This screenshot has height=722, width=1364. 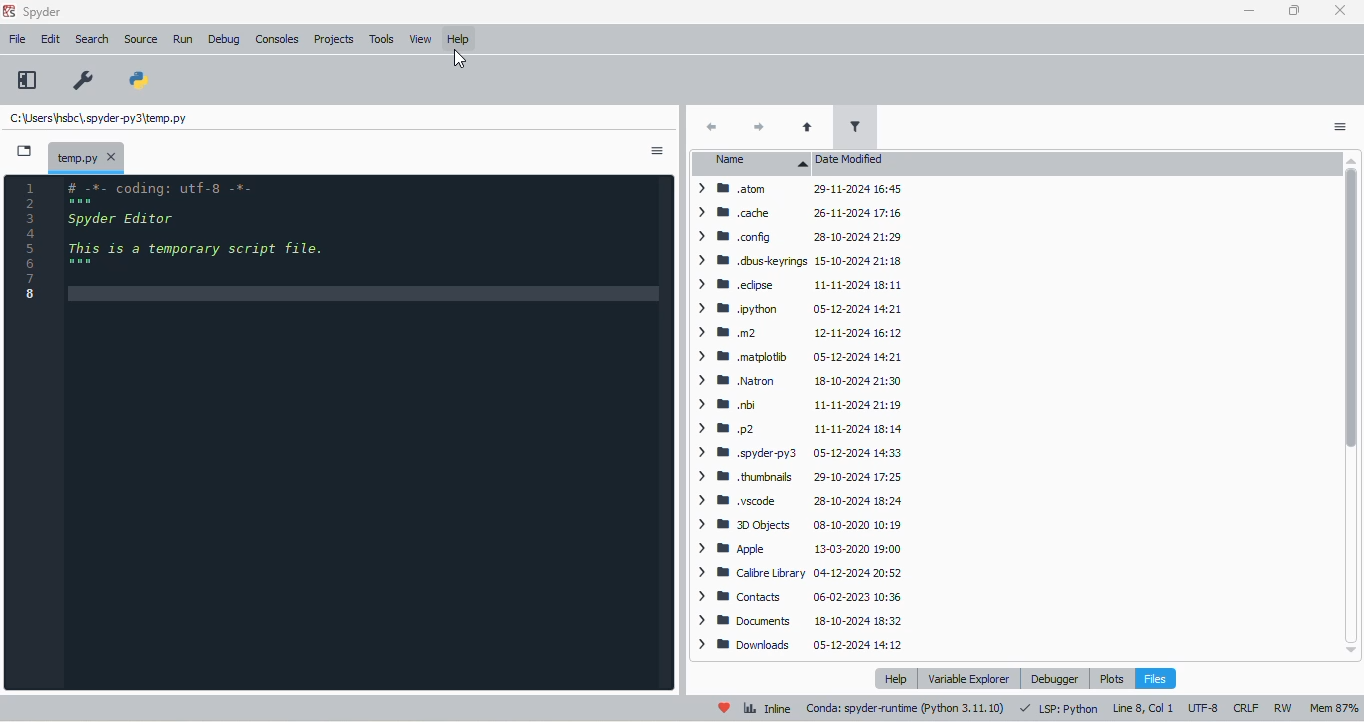 What do you see at coordinates (795, 499) in the screenshot?
I see `> ® .vscode 28-10-2024 18:24` at bounding box center [795, 499].